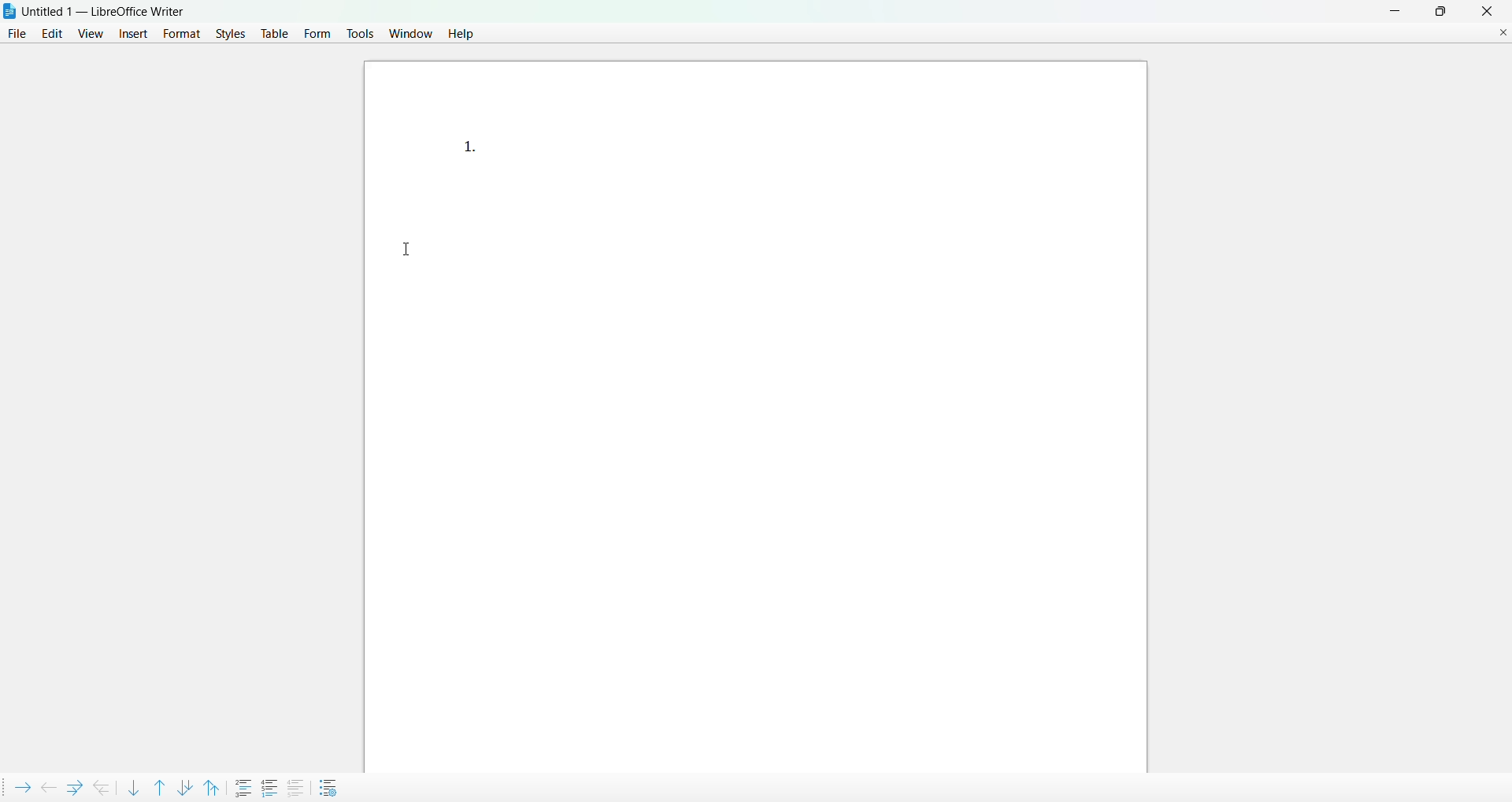  I want to click on window, so click(410, 33).